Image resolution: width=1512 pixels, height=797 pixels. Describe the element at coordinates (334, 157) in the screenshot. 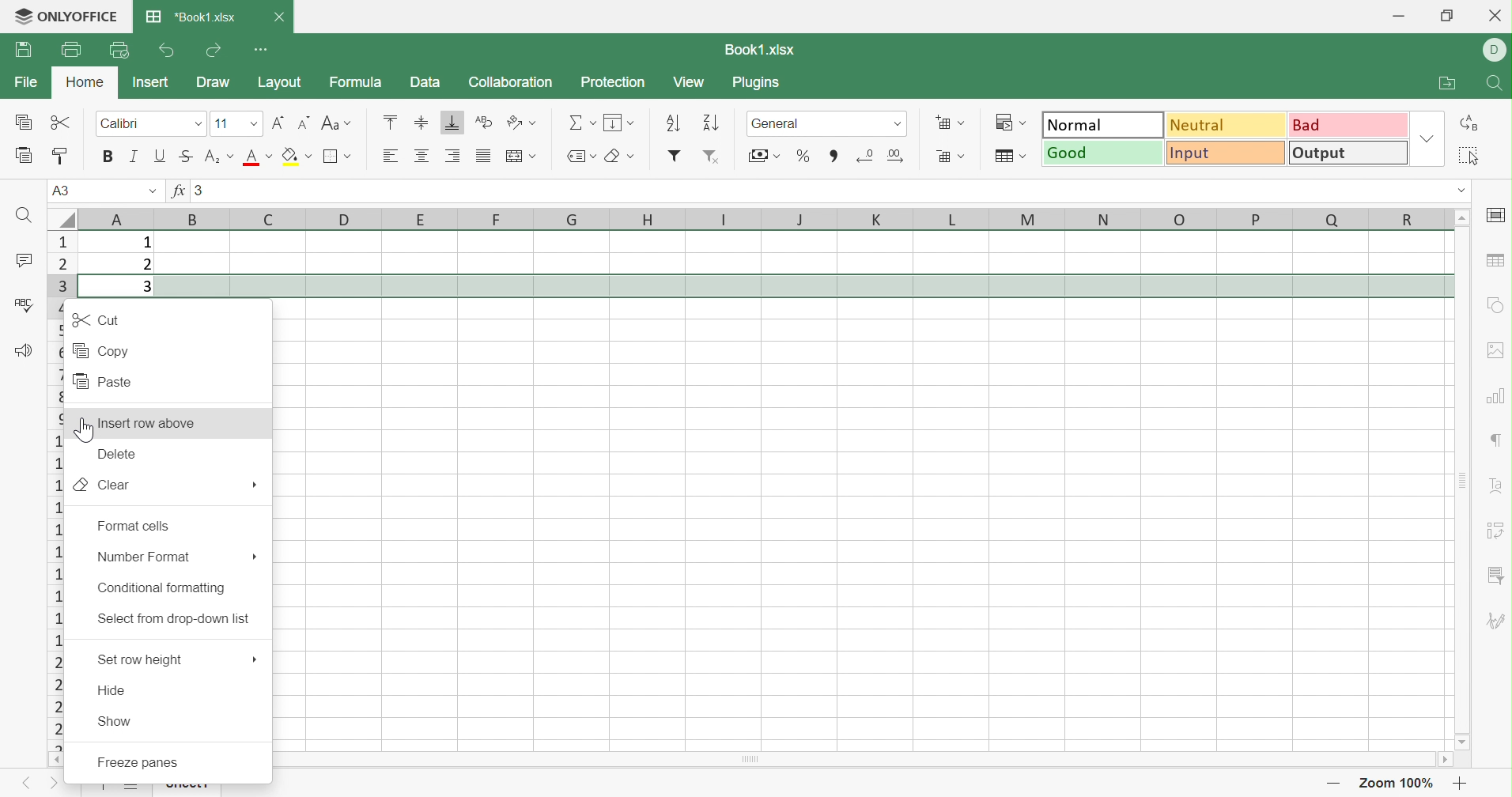

I see `Borders` at that location.